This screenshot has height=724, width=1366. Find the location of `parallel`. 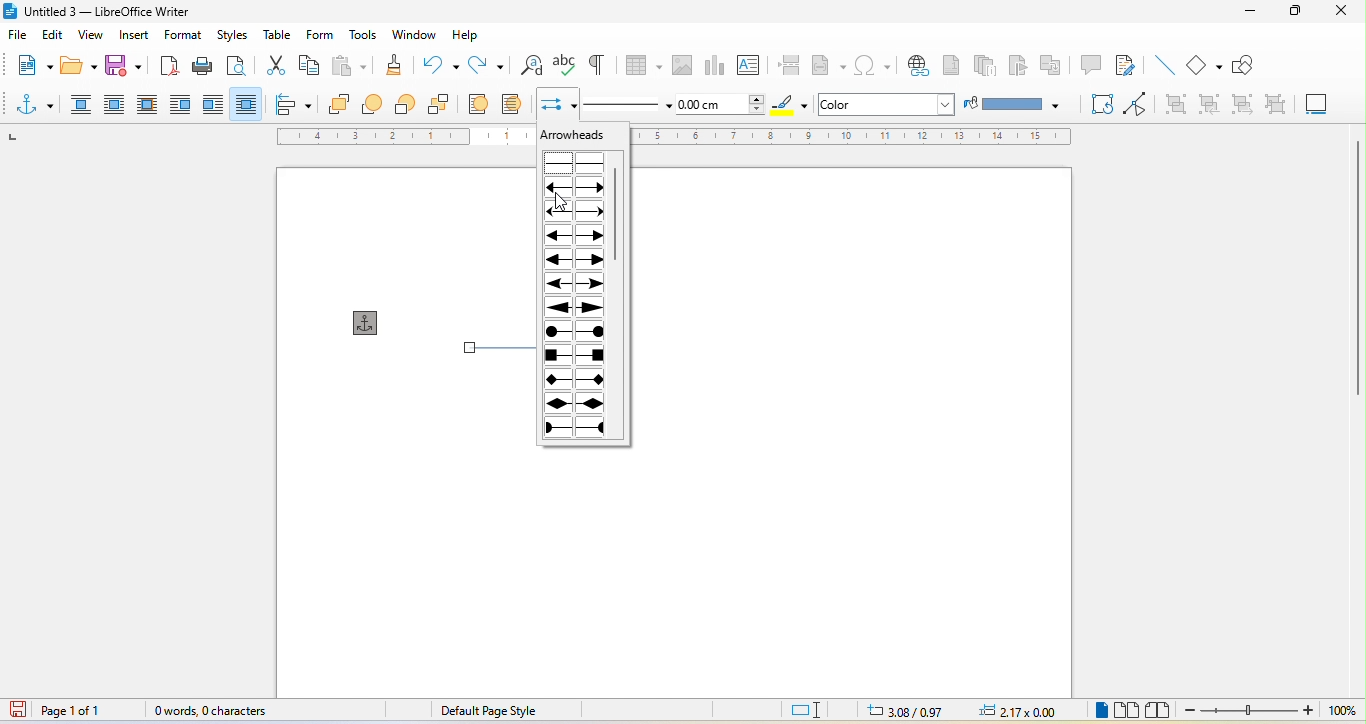

parallel is located at coordinates (118, 105).